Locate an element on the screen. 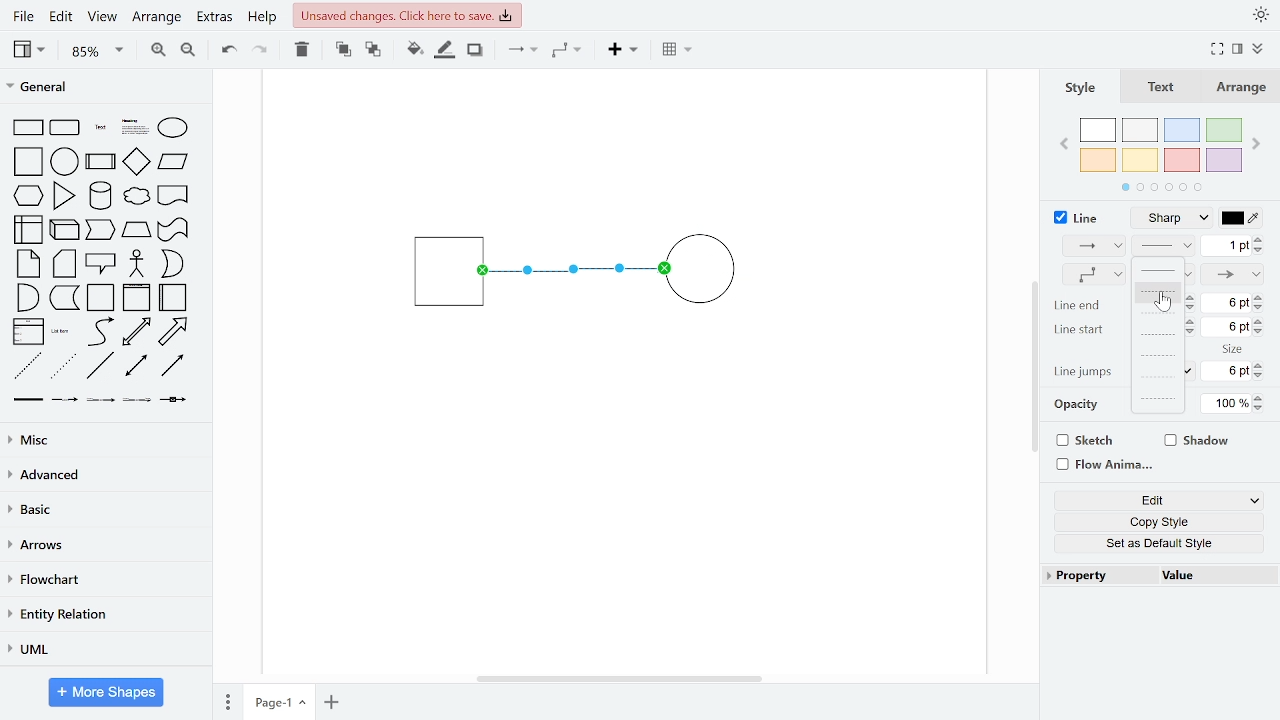  dotted line is located at coordinates (63, 367).